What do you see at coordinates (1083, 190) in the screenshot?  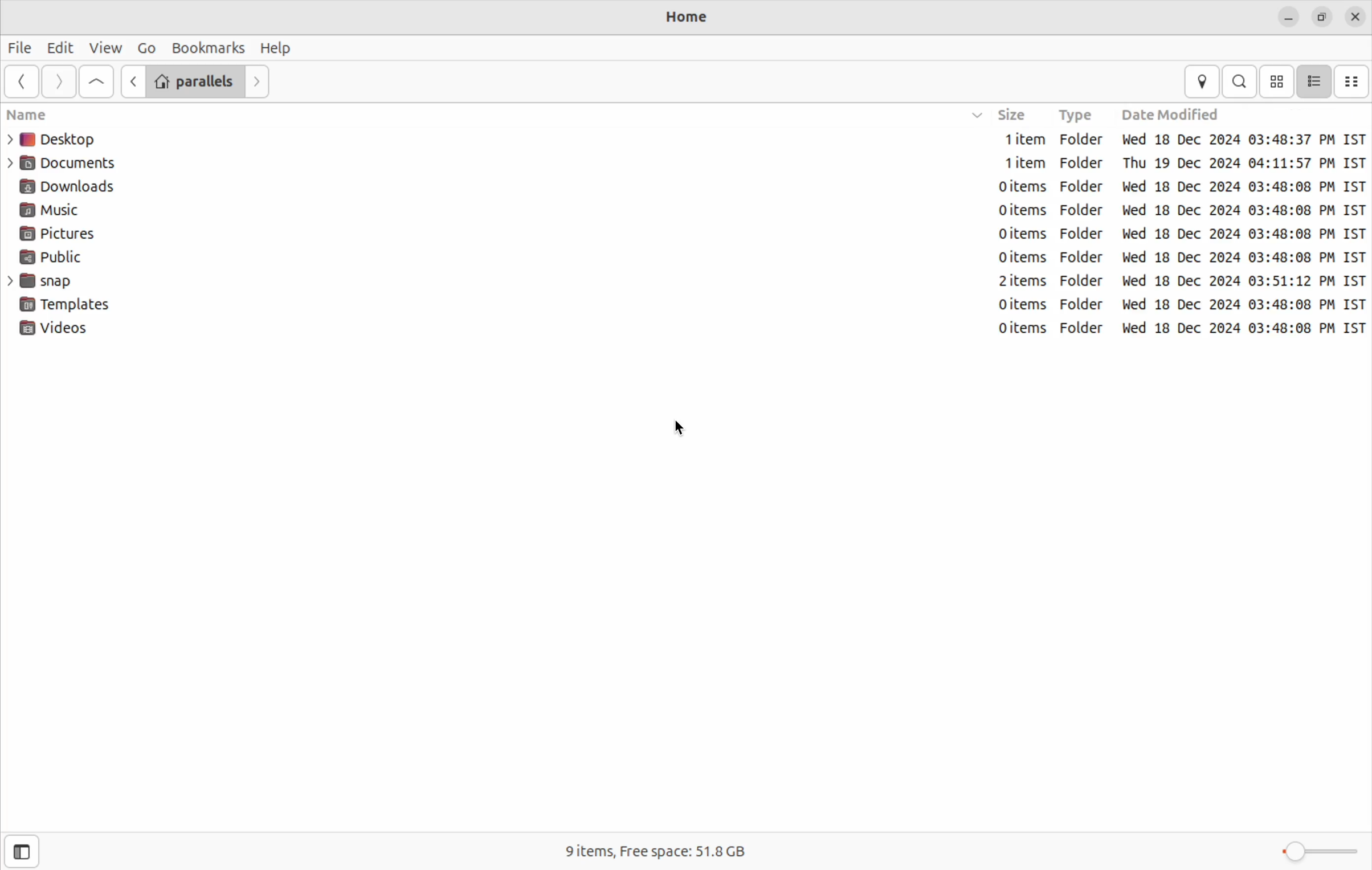 I see `Folder` at bounding box center [1083, 190].